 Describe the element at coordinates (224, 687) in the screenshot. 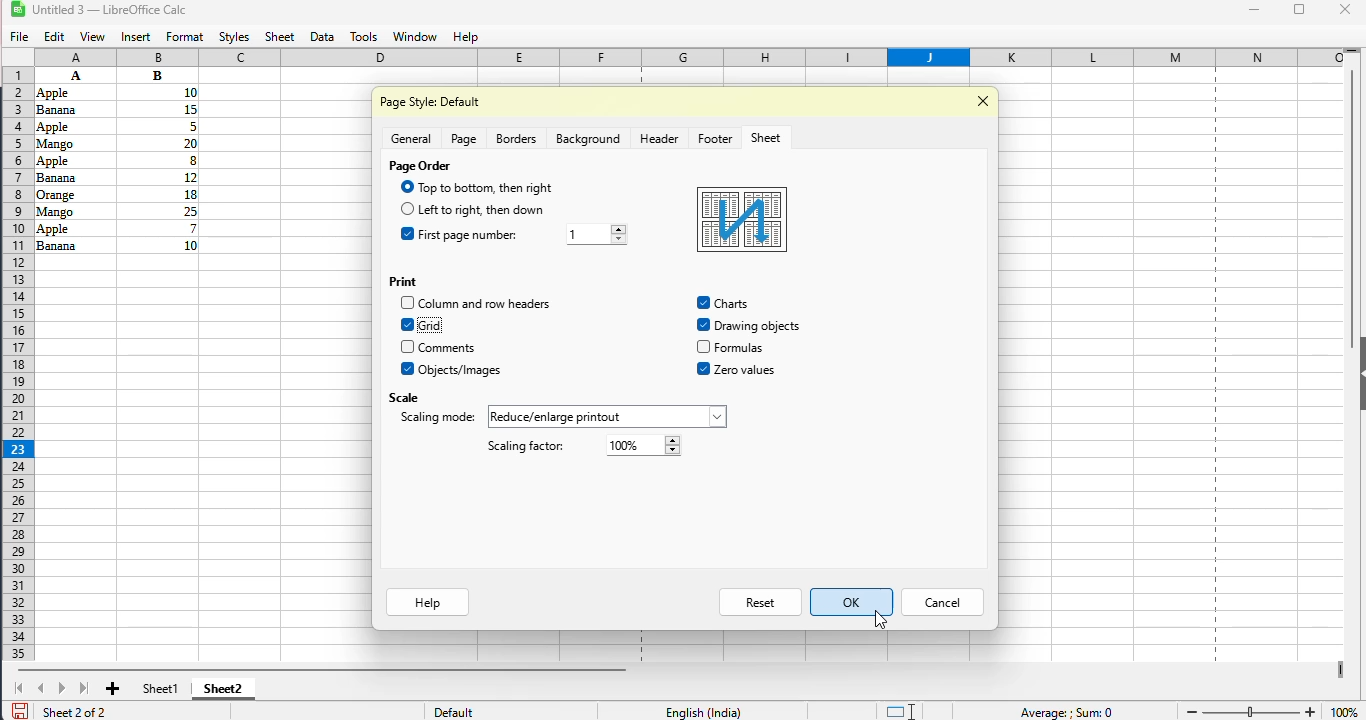

I see `sheet2` at that location.